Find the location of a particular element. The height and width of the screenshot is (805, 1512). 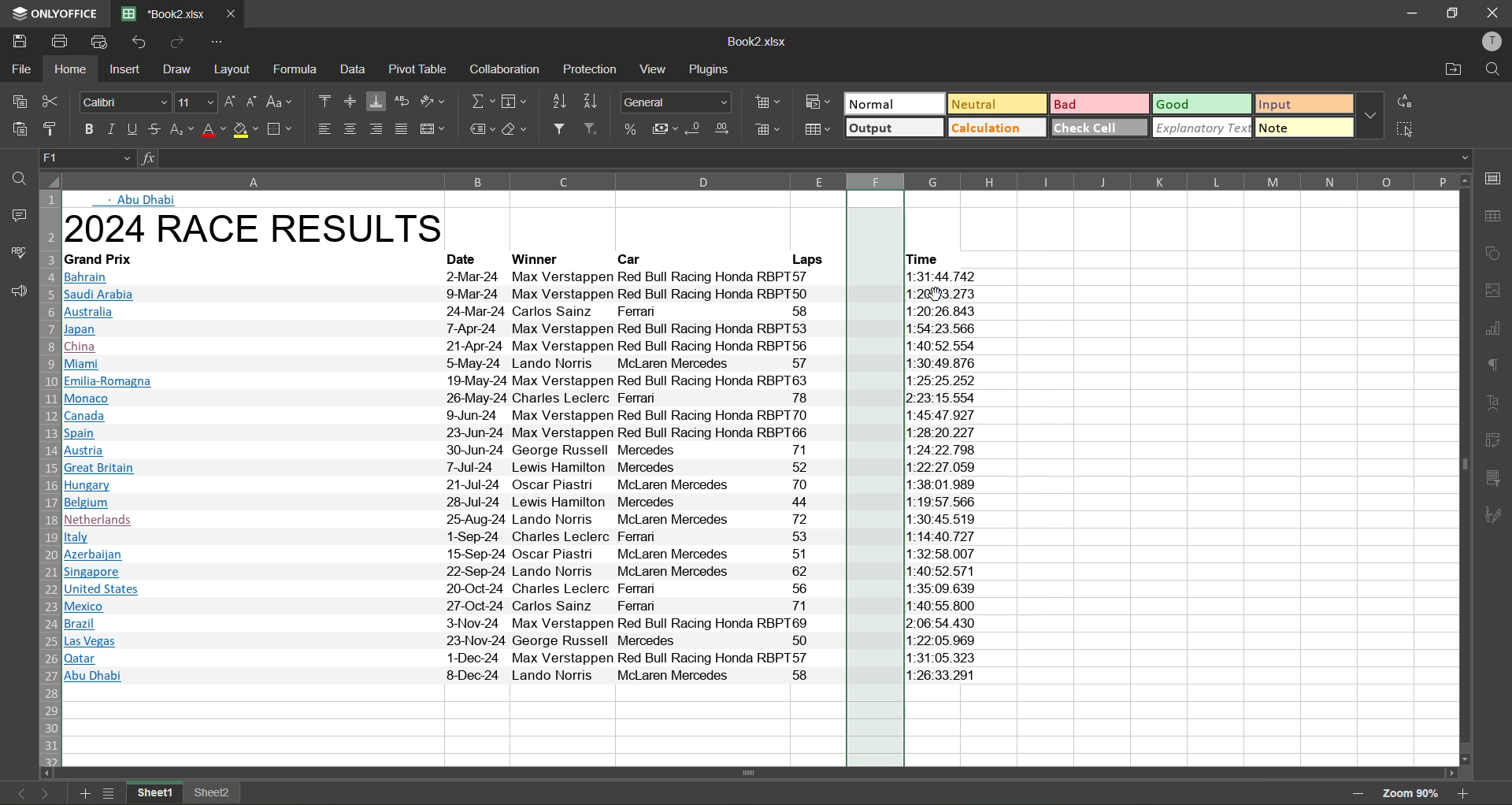

close is located at coordinates (1492, 12).